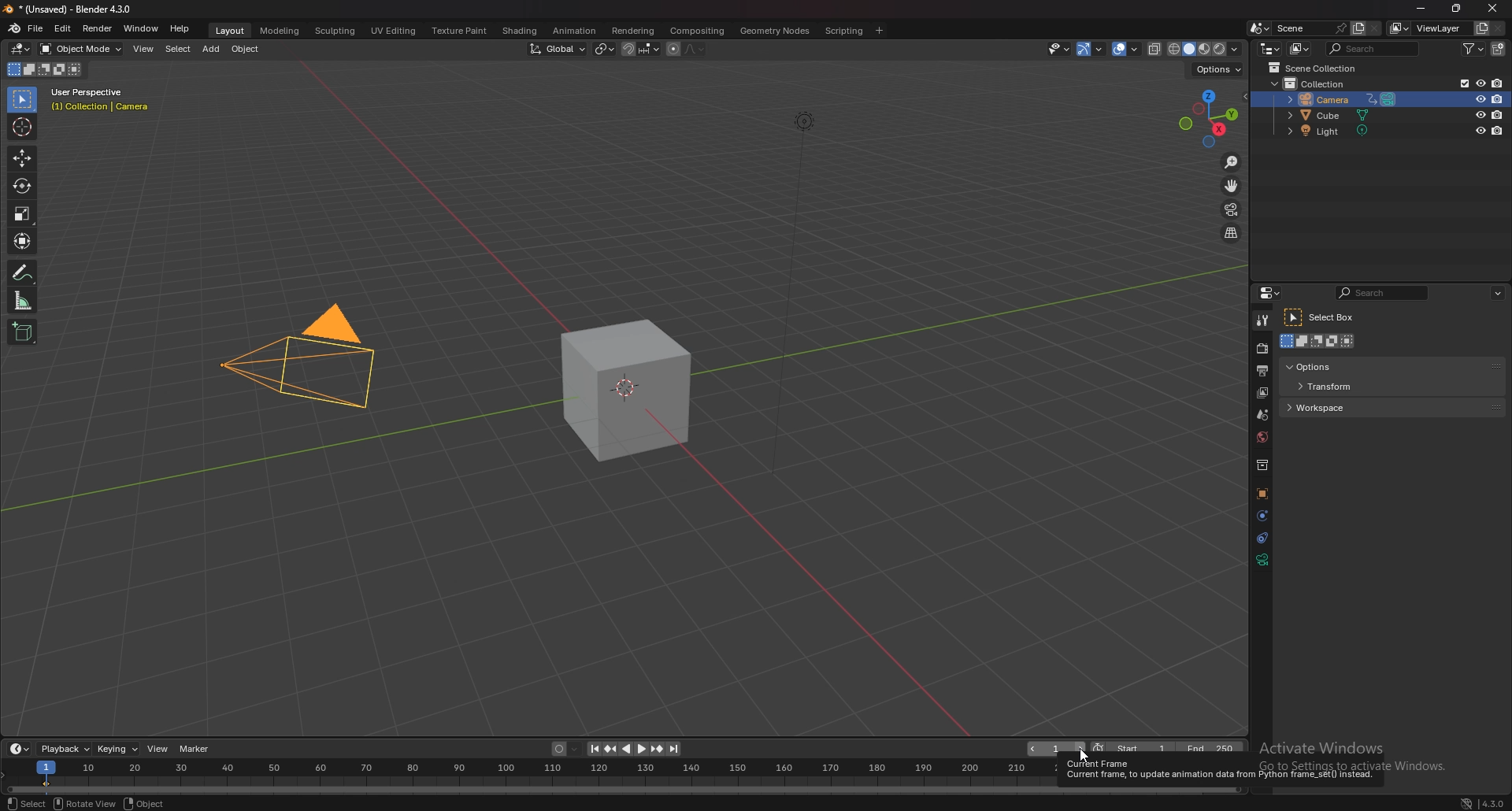  Describe the element at coordinates (1332, 116) in the screenshot. I see `cube` at that location.